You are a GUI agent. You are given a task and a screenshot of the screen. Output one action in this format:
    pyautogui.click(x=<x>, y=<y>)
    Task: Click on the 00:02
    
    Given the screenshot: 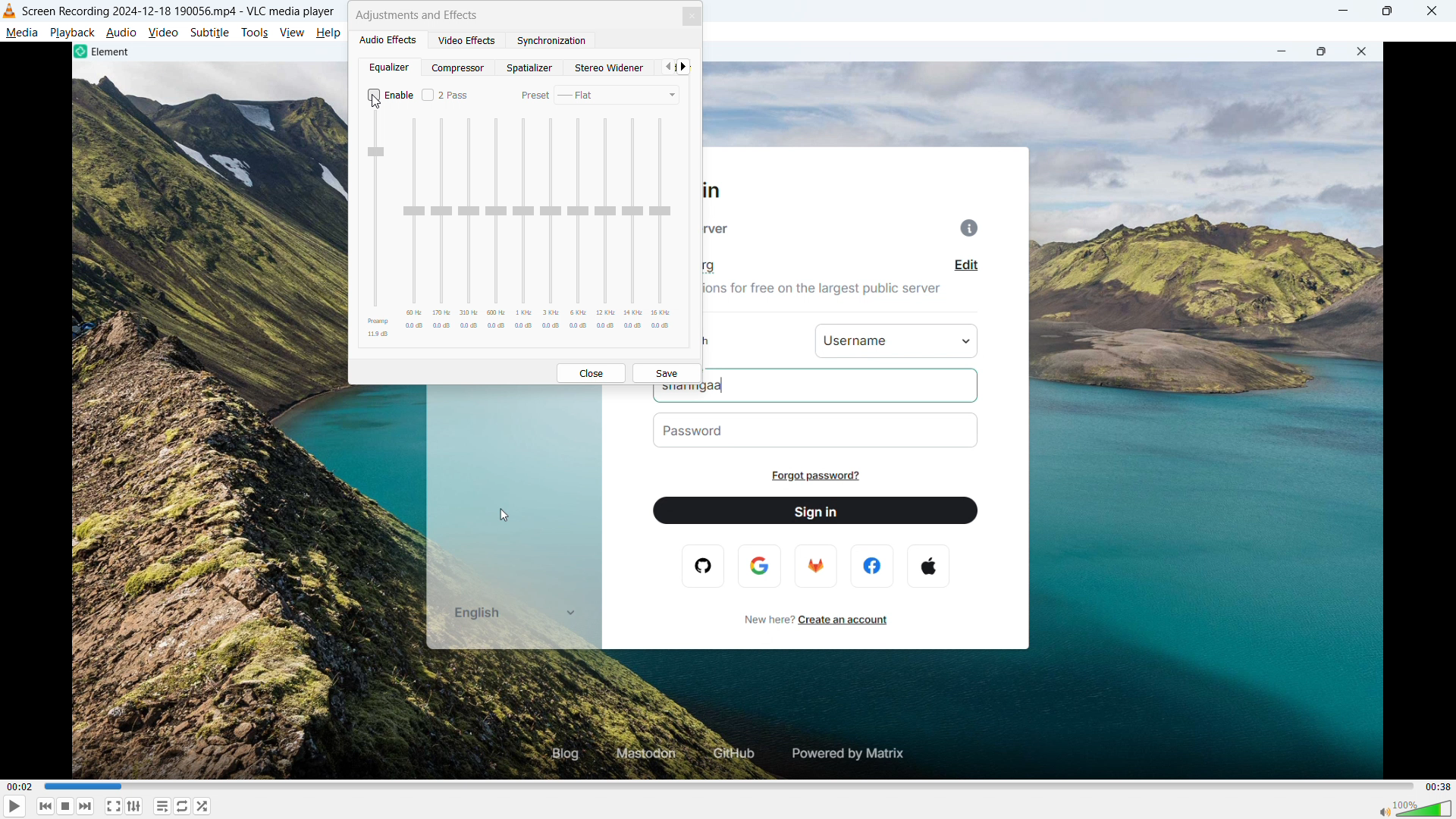 What is the action you would take?
    pyautogui.click(x=45, y=787)
    